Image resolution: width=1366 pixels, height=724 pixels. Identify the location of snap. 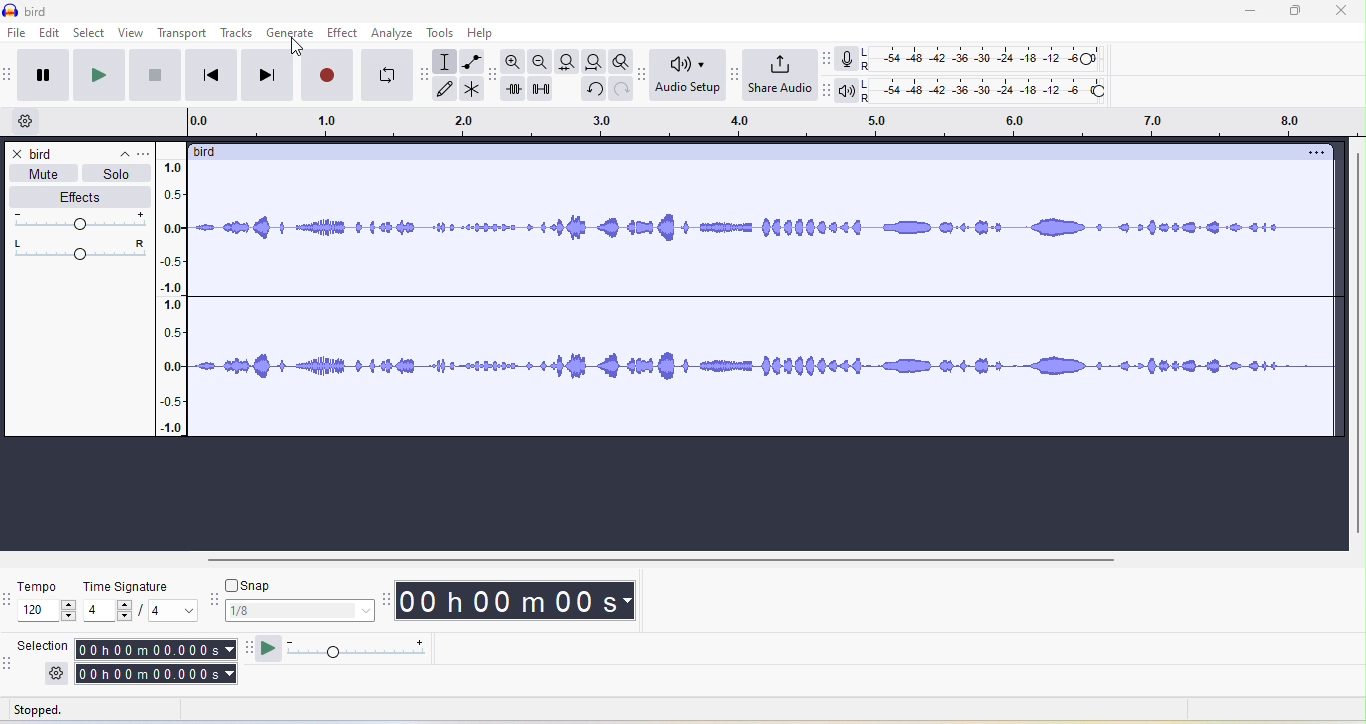
(254, 585).